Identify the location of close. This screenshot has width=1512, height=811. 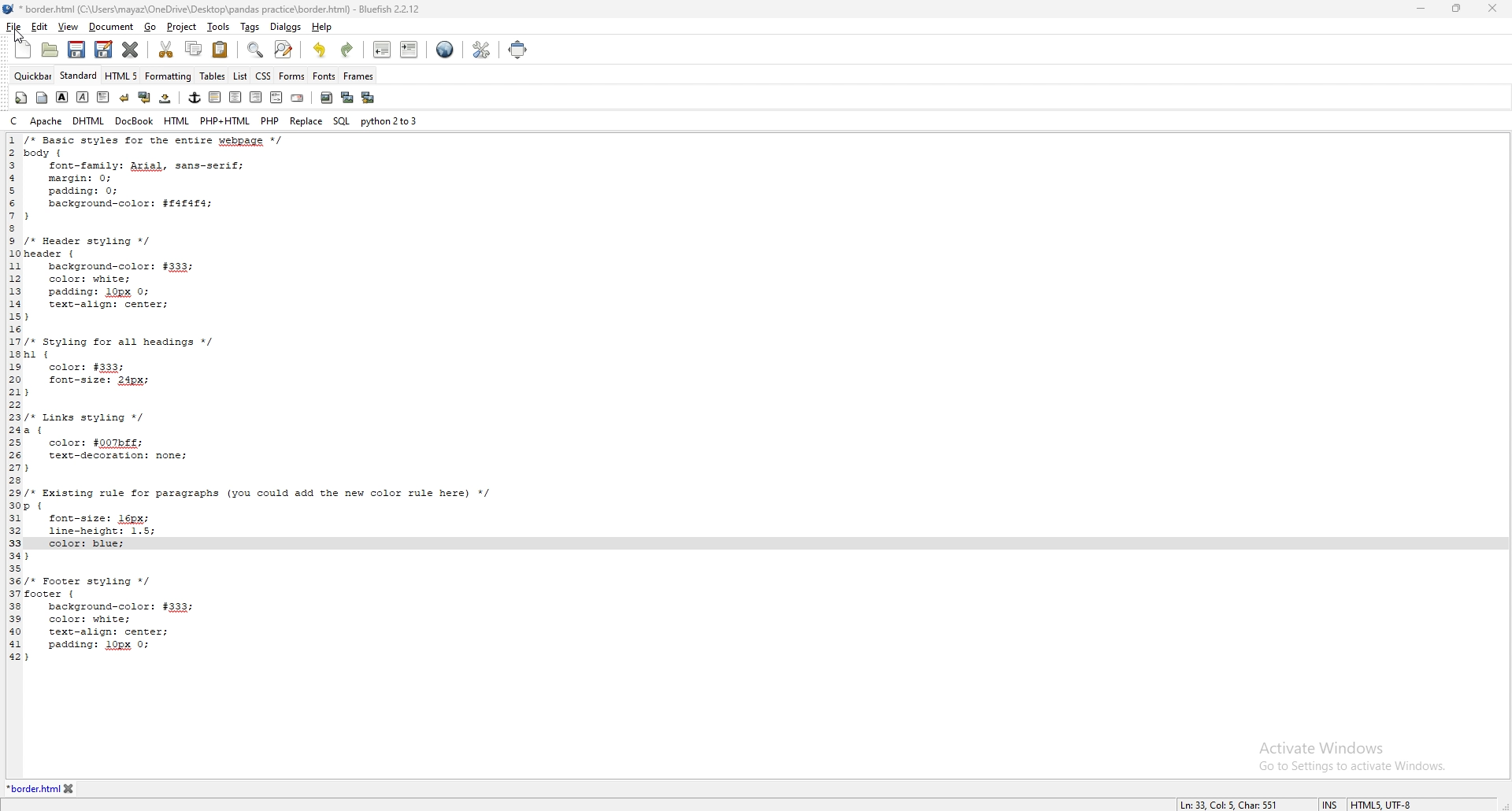
(1493, 9).